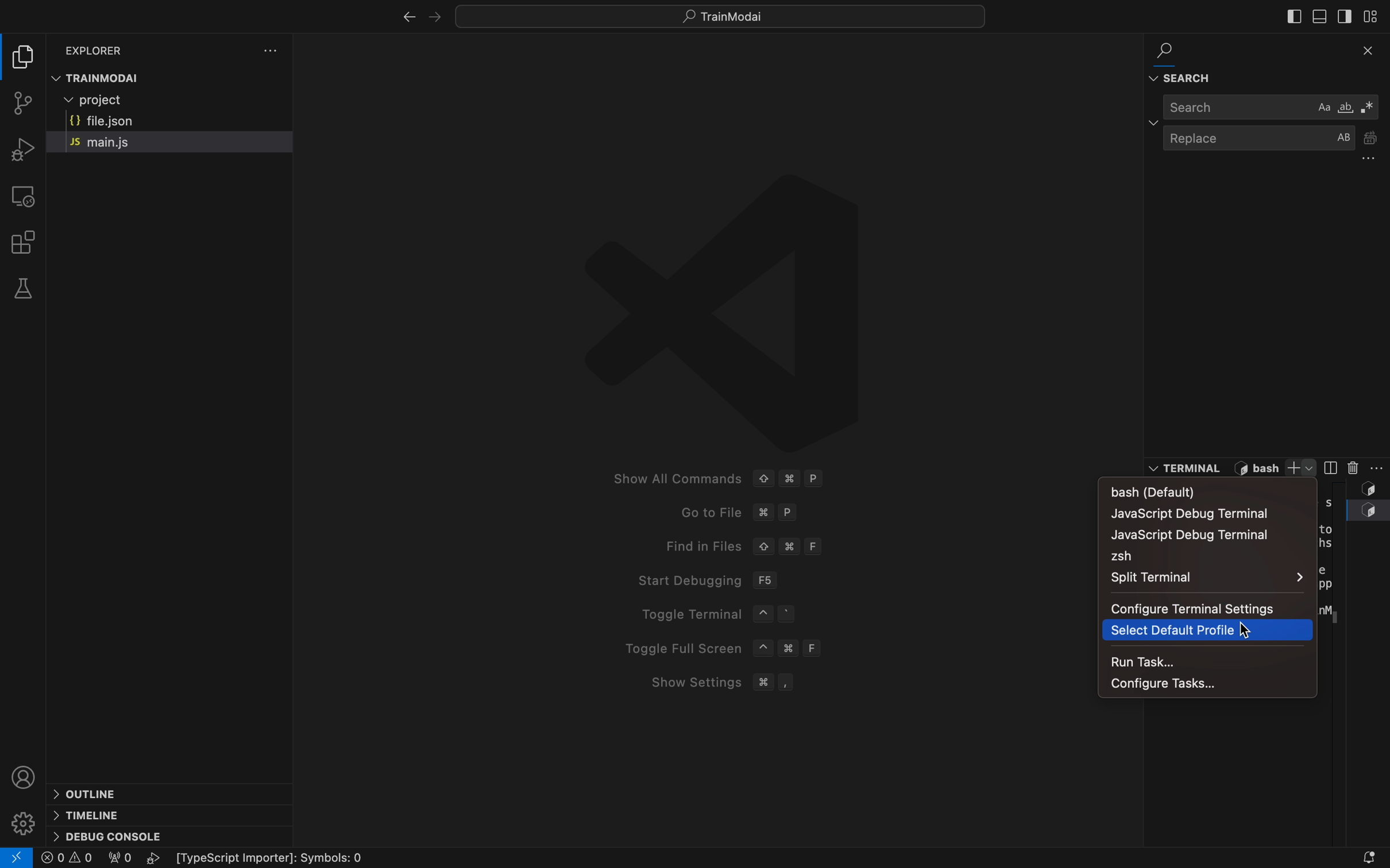 This screenshot has width=1390, height=868. Describe the element at coordinates (1204, 630) in the screenshot. I see `` at that location.